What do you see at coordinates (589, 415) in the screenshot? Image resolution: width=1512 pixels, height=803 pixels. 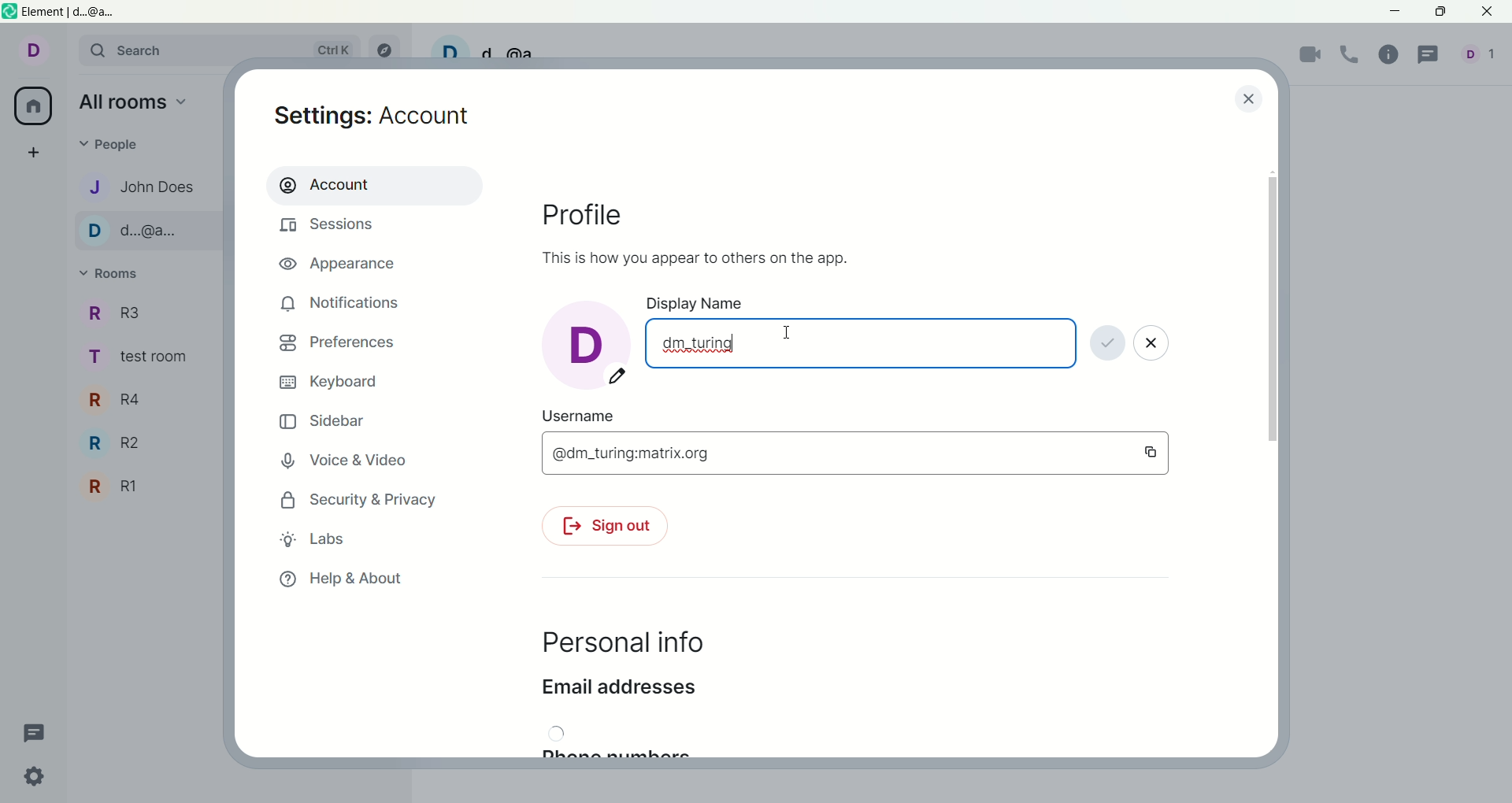 I see `usser name` at bounding box center [589, 415].